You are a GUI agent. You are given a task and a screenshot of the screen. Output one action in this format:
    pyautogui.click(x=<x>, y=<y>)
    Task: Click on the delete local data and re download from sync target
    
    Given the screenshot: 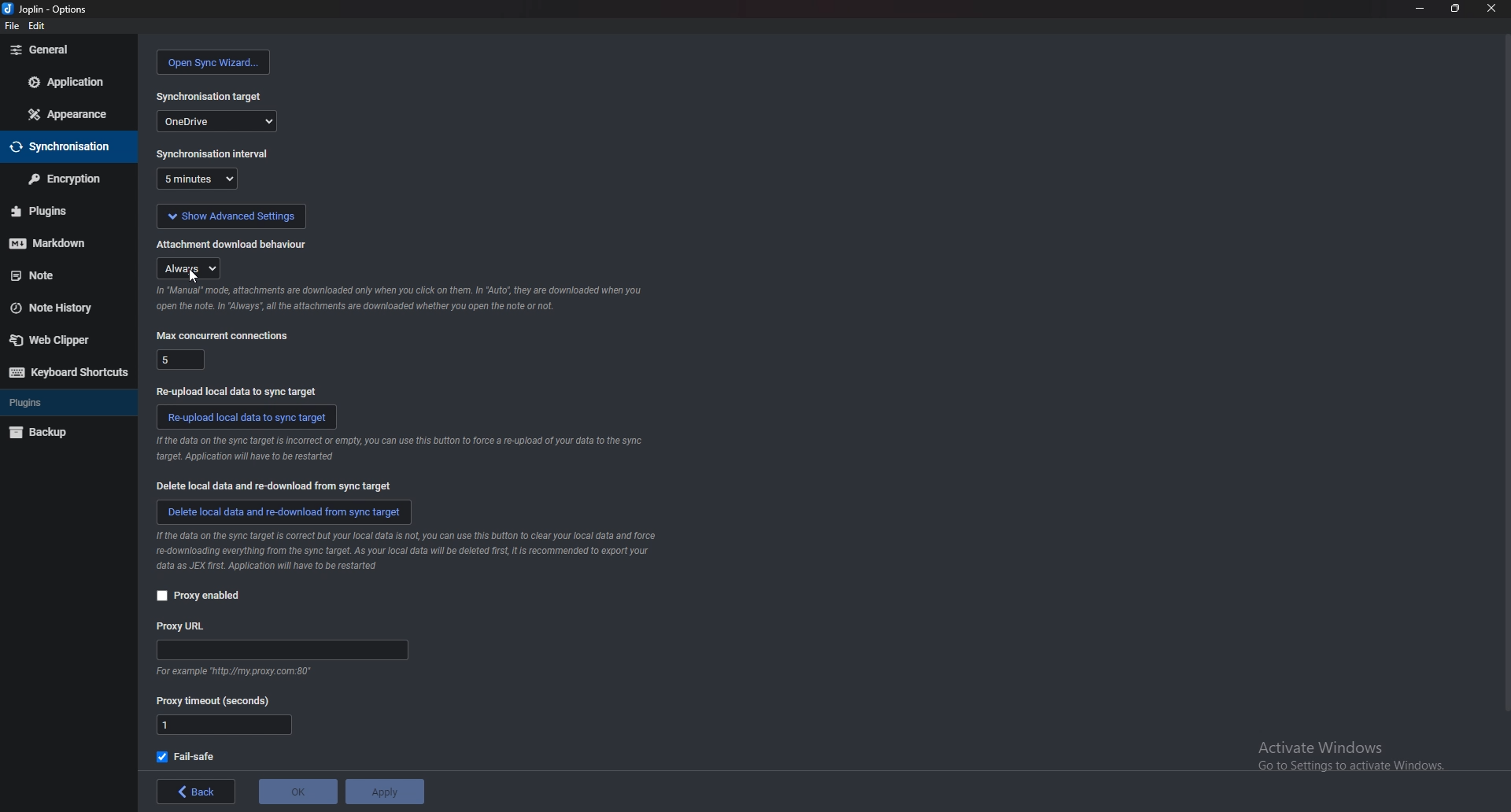 What is the action you would take?
    pyautogui.click(x=286, y=512)
    